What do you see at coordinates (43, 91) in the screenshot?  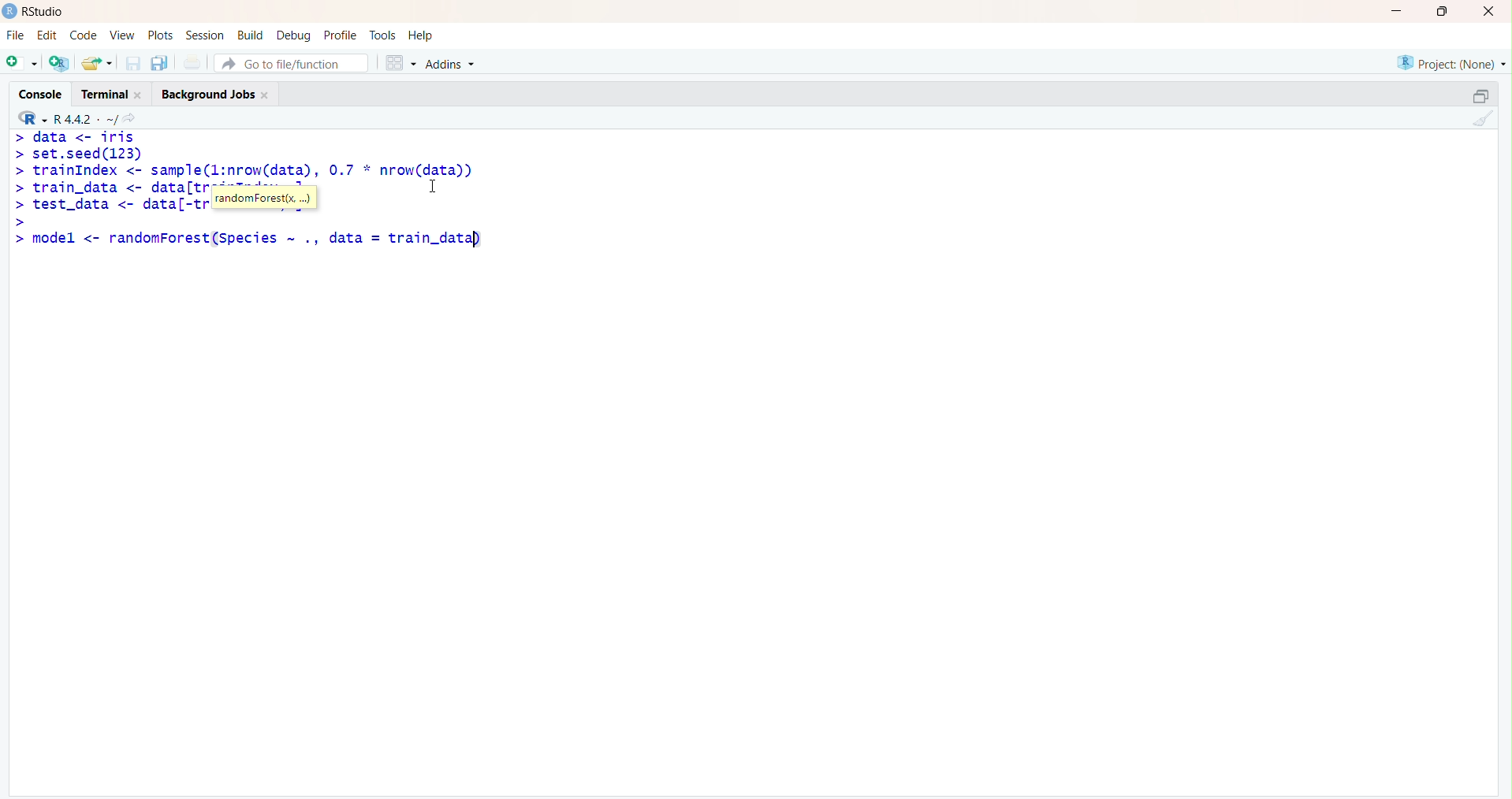 I see `Console` at bounding box center [43, 91].